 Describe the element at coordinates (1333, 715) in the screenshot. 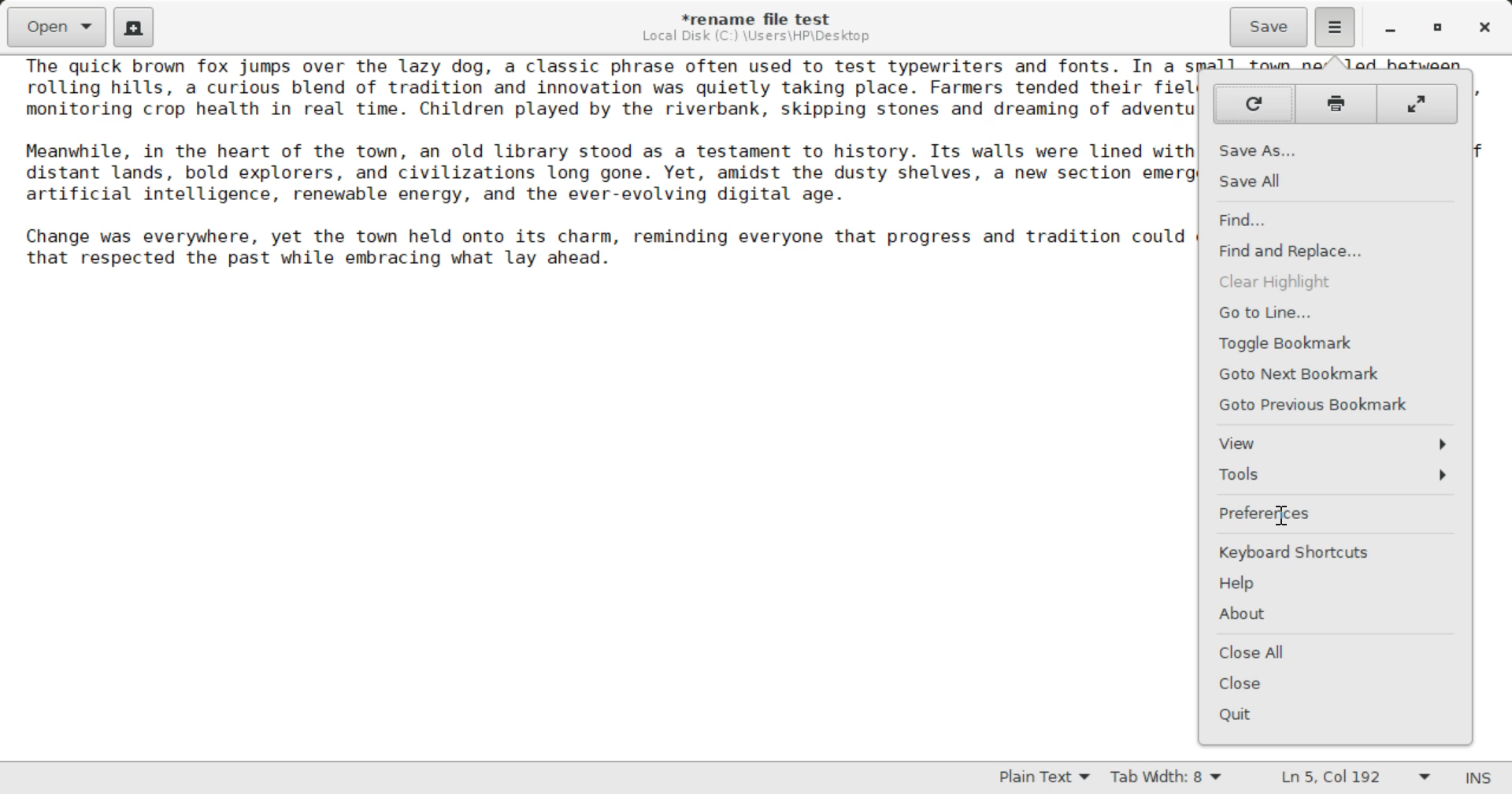

I see `Quit` at that location.